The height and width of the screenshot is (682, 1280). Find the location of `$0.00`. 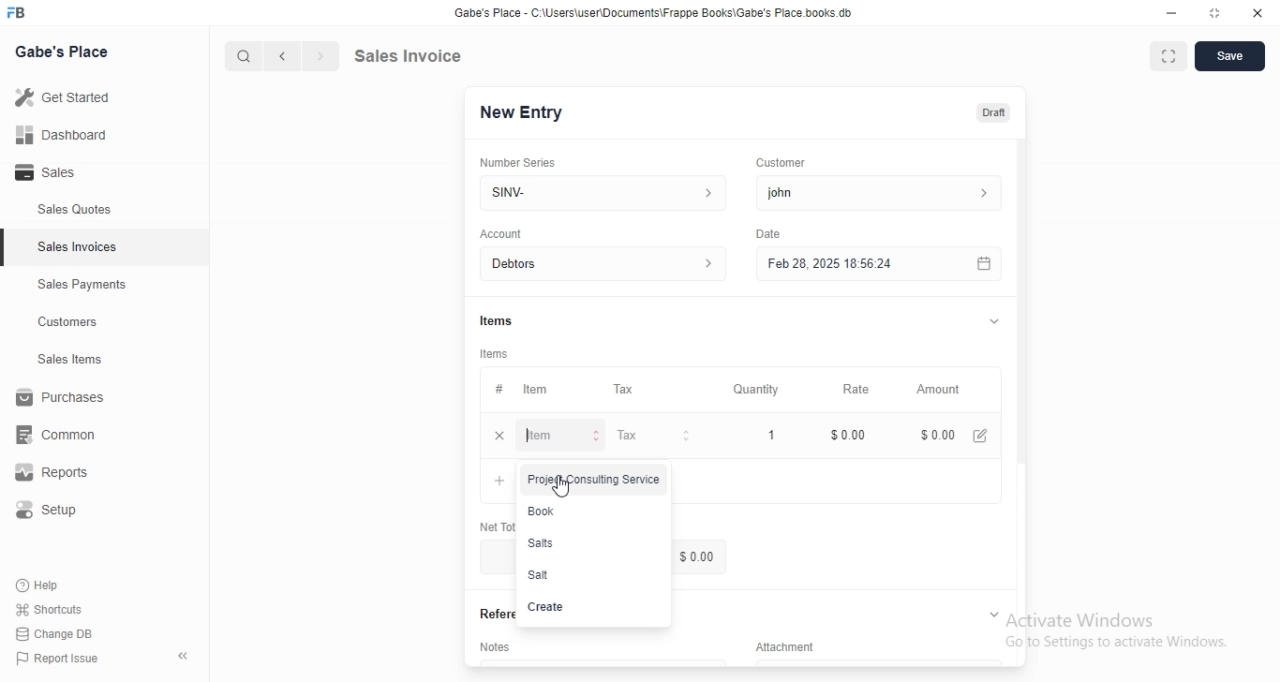

$0.00 is located at coordinates (935, 436).